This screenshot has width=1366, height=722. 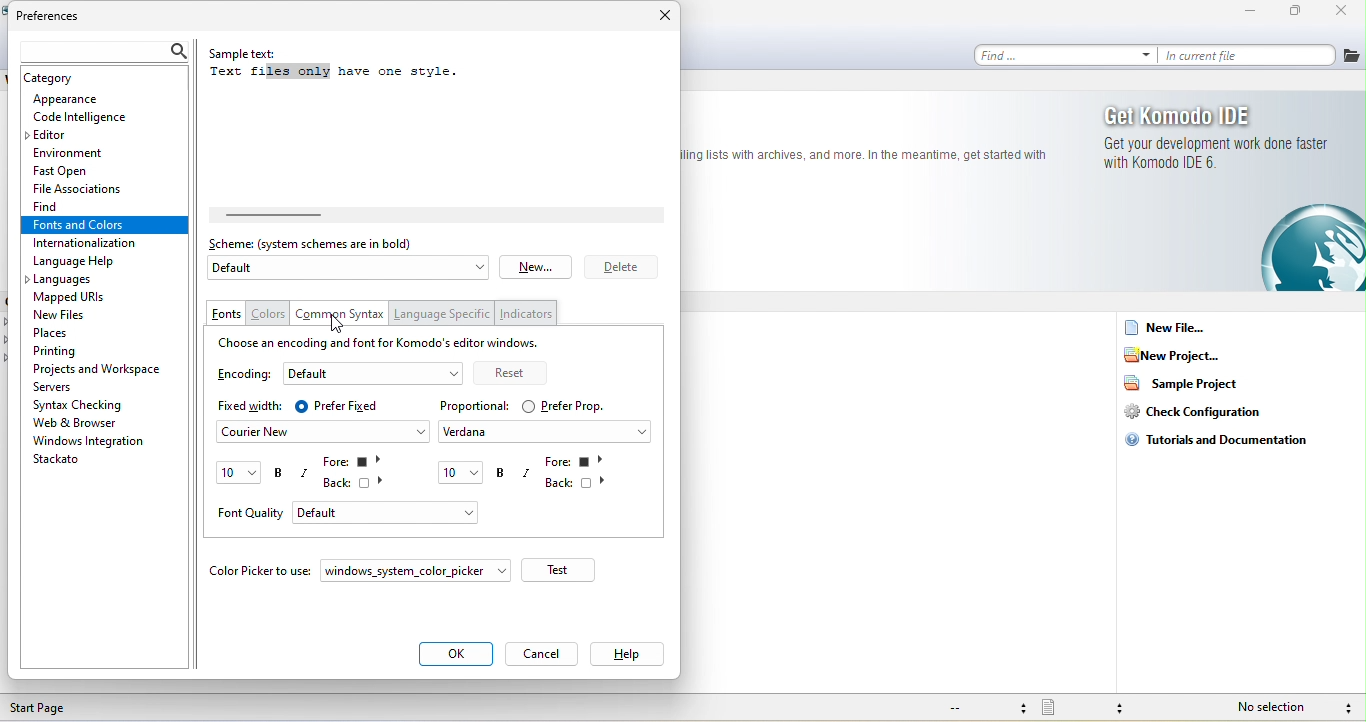 I want to click on font quality, so click(x=250, y=515).